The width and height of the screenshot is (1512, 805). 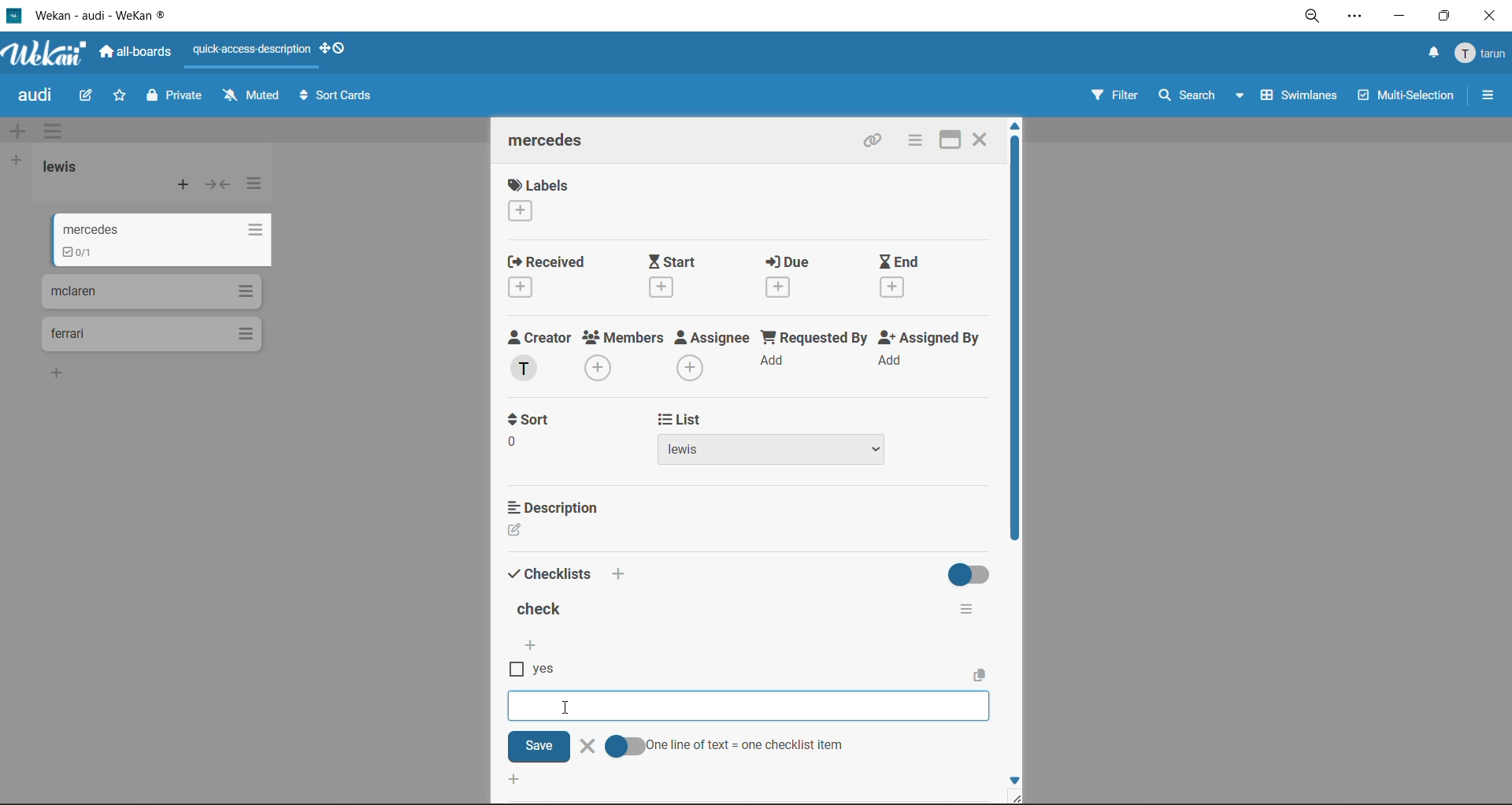 What do you see at coordinates (624, 355) in the screenshot?
I see `members` at bounding box center [624, 355].